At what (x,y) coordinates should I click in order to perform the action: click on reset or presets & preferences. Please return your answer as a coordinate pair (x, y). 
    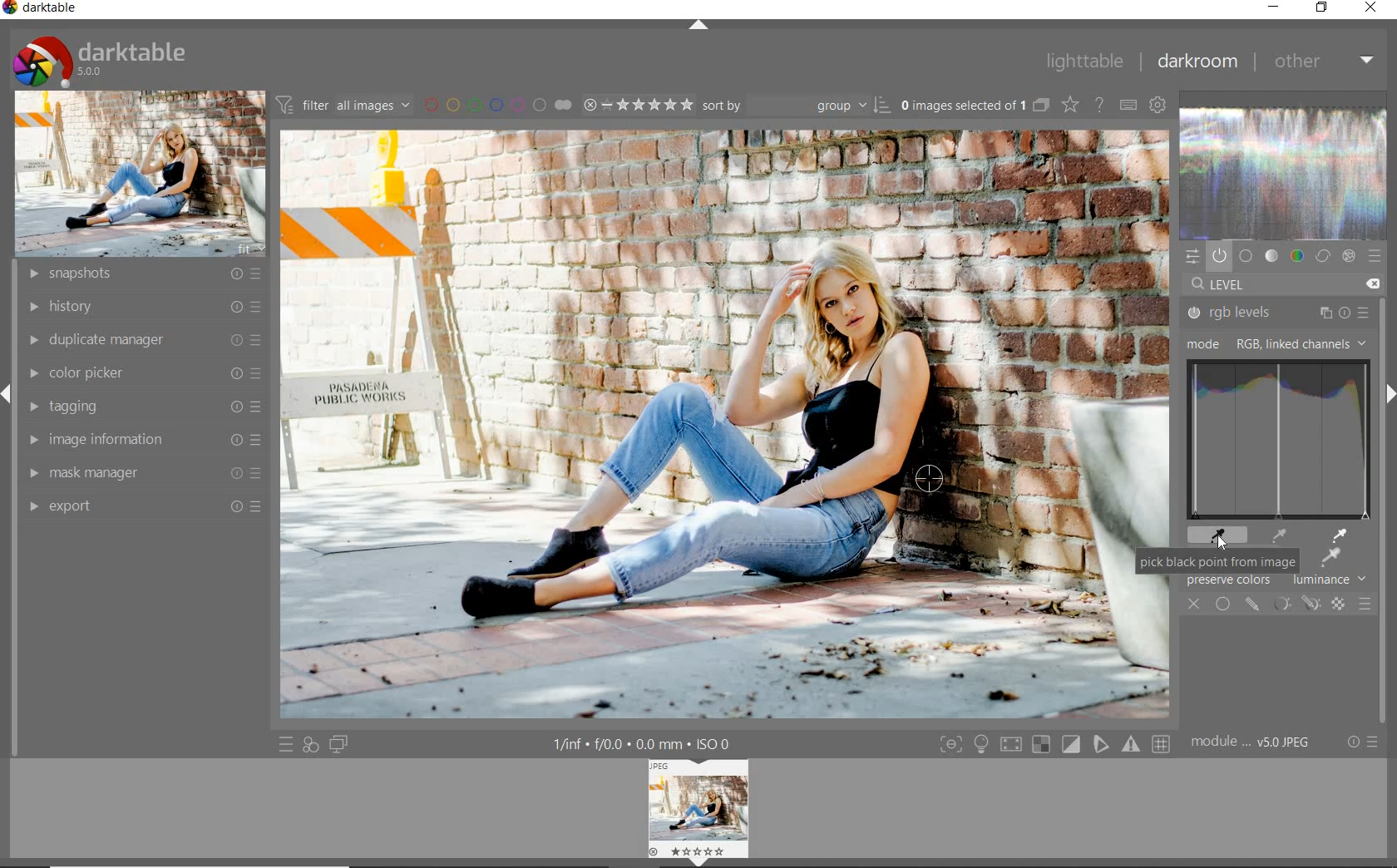
    Looking at the image, I should click on (1365, 742).